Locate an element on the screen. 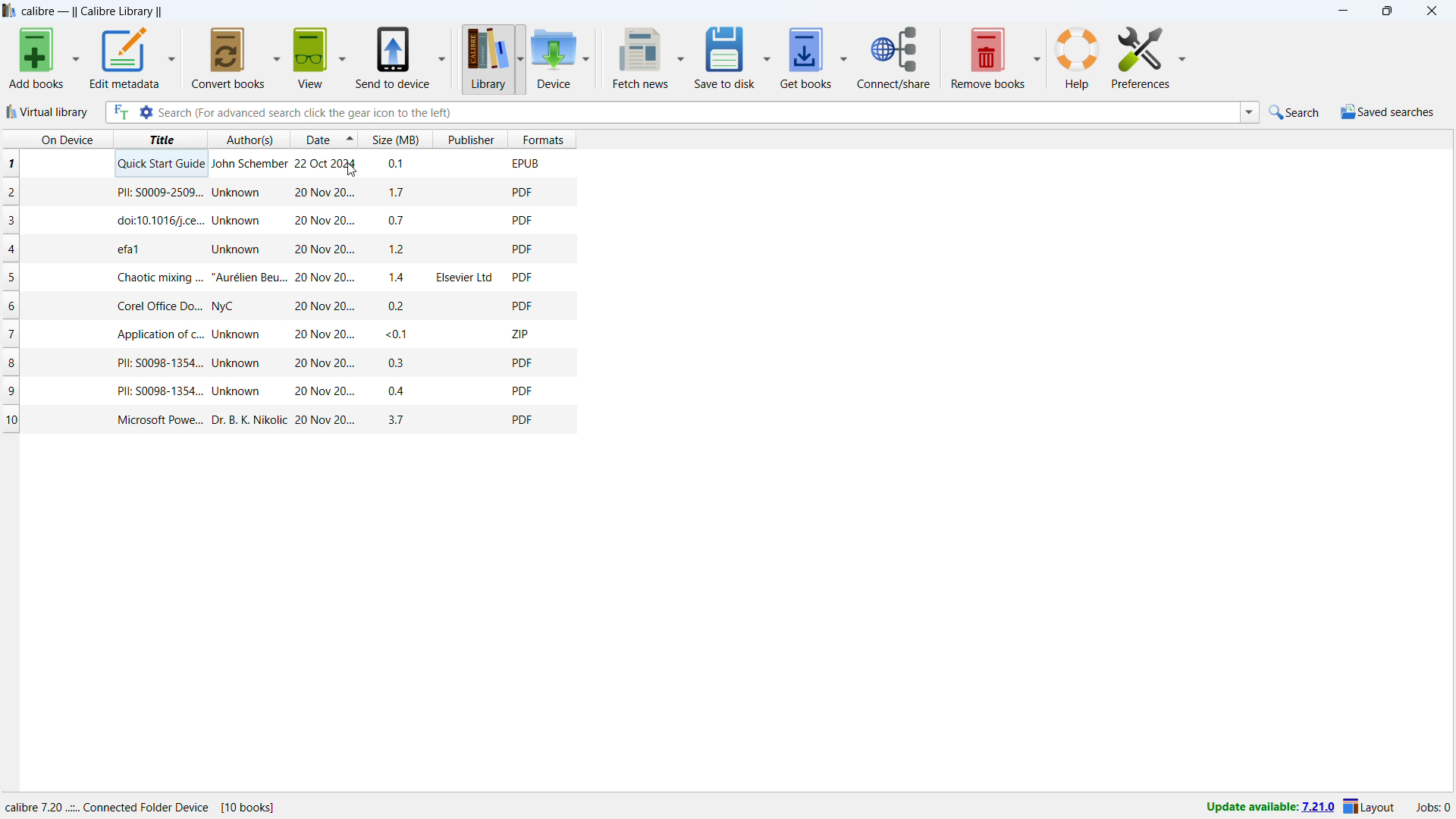 Image resolution: width=1456 pixels, height=819 pixels. search history is located at coordinates (1249, 111).